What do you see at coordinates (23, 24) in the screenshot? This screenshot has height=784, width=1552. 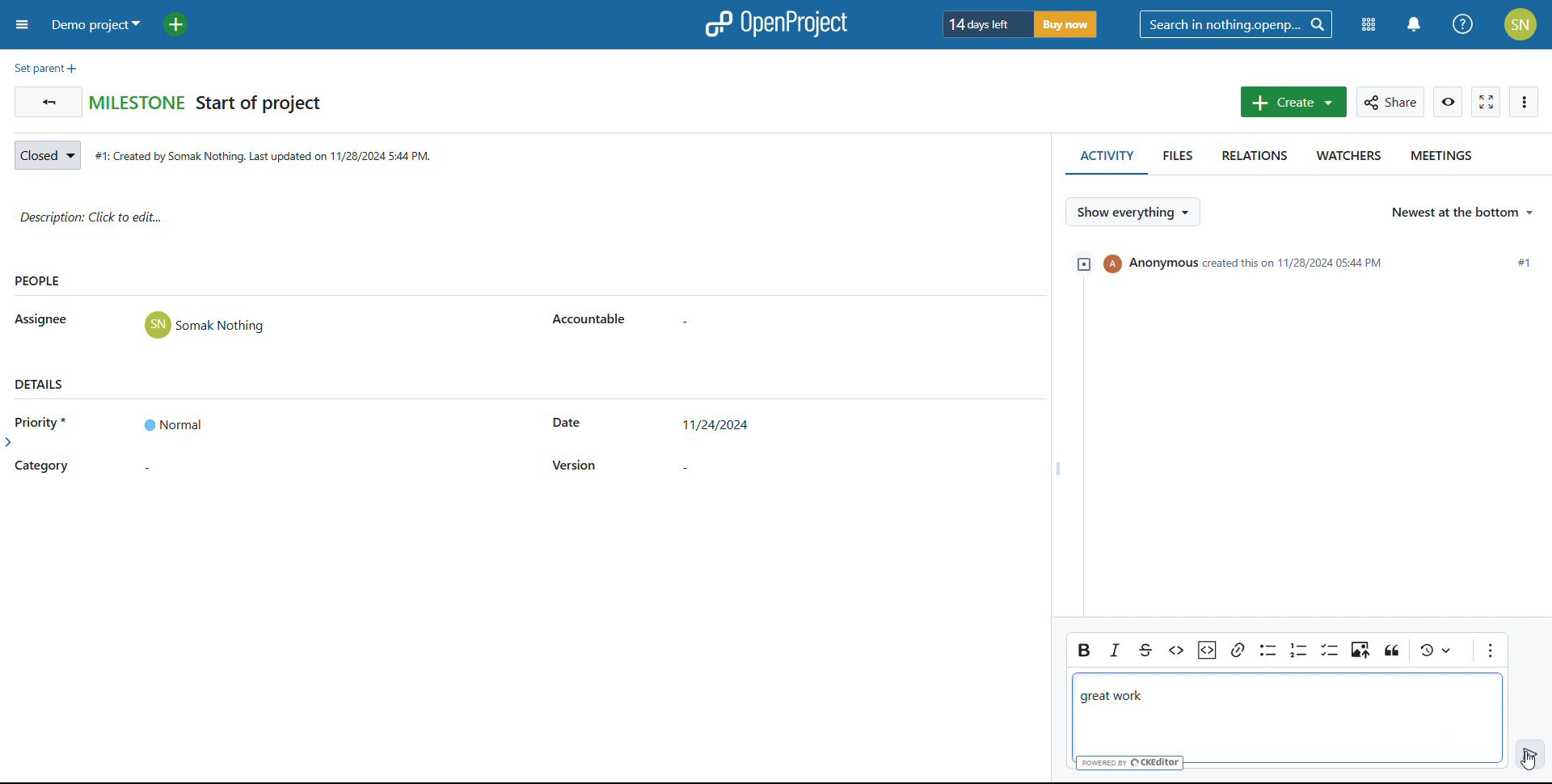 I see `open sidebar menu` at bounding box center [23, 24].